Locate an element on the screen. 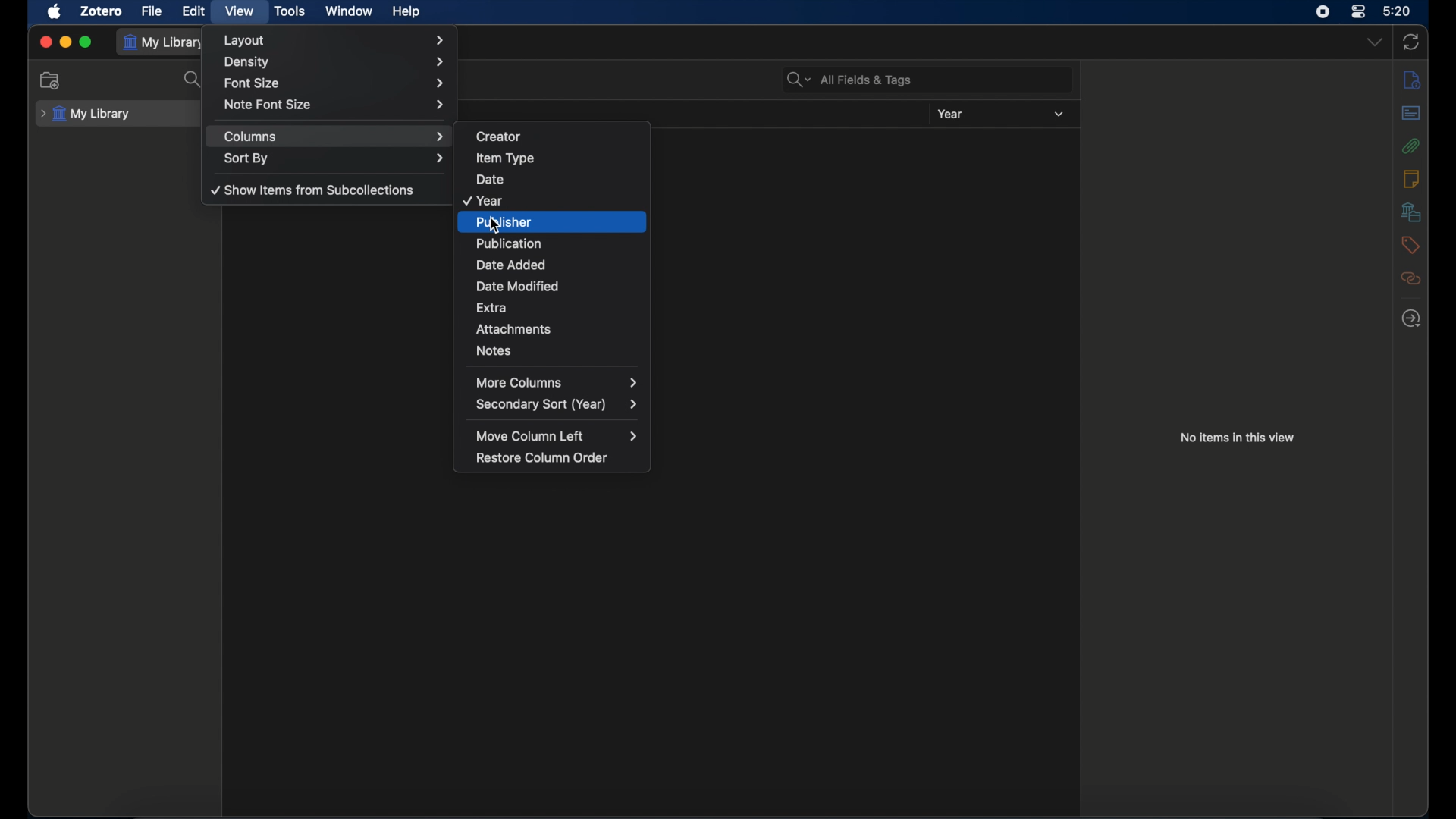 Image resolution: width=1456 pixels, height=819 pixels. publisher is located at coordinates (559, 221).